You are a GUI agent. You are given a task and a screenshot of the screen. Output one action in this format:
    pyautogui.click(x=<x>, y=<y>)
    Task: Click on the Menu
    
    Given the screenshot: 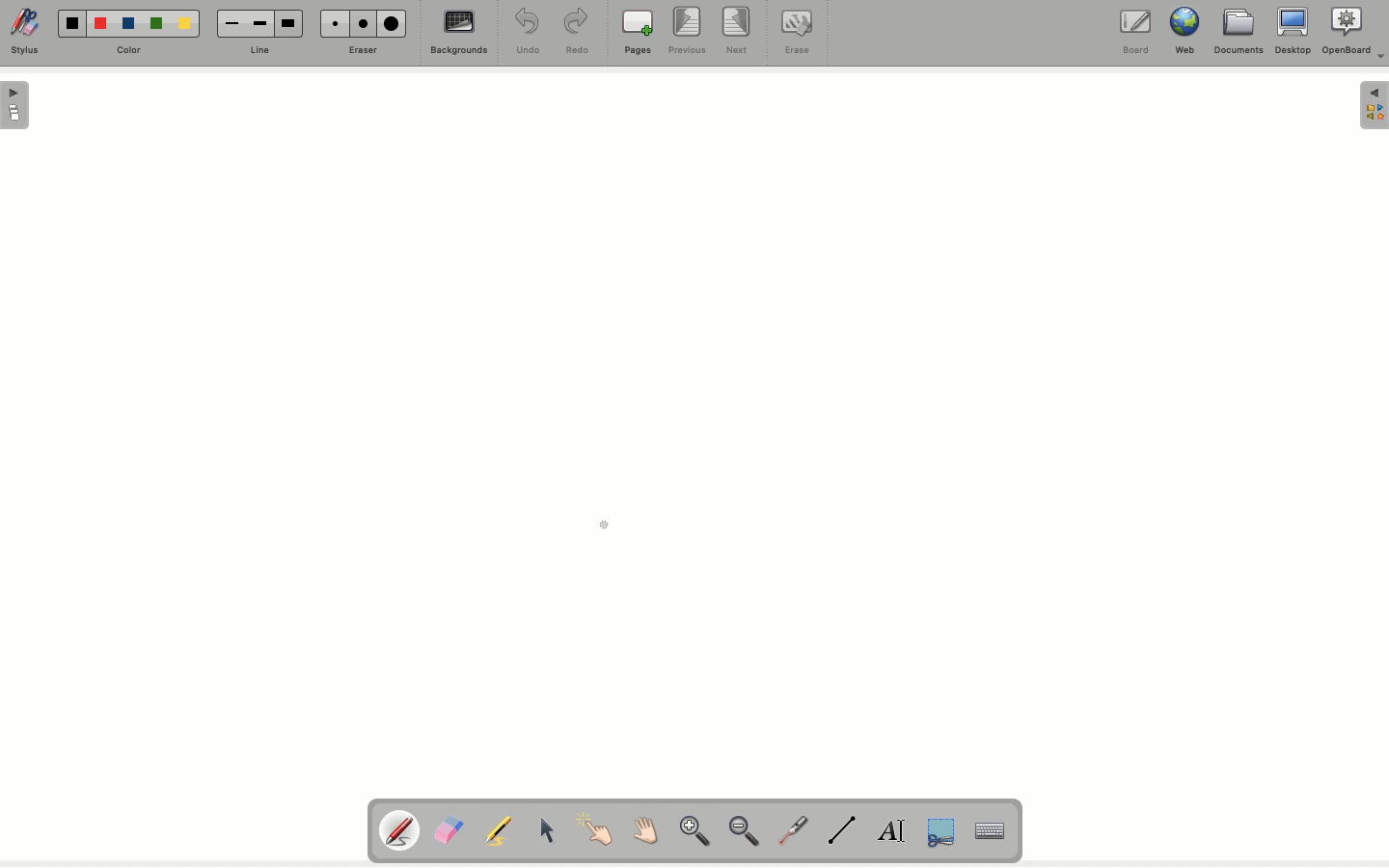 What is the action you would take?
    pyautogui.click(x=1374, y=107)
    